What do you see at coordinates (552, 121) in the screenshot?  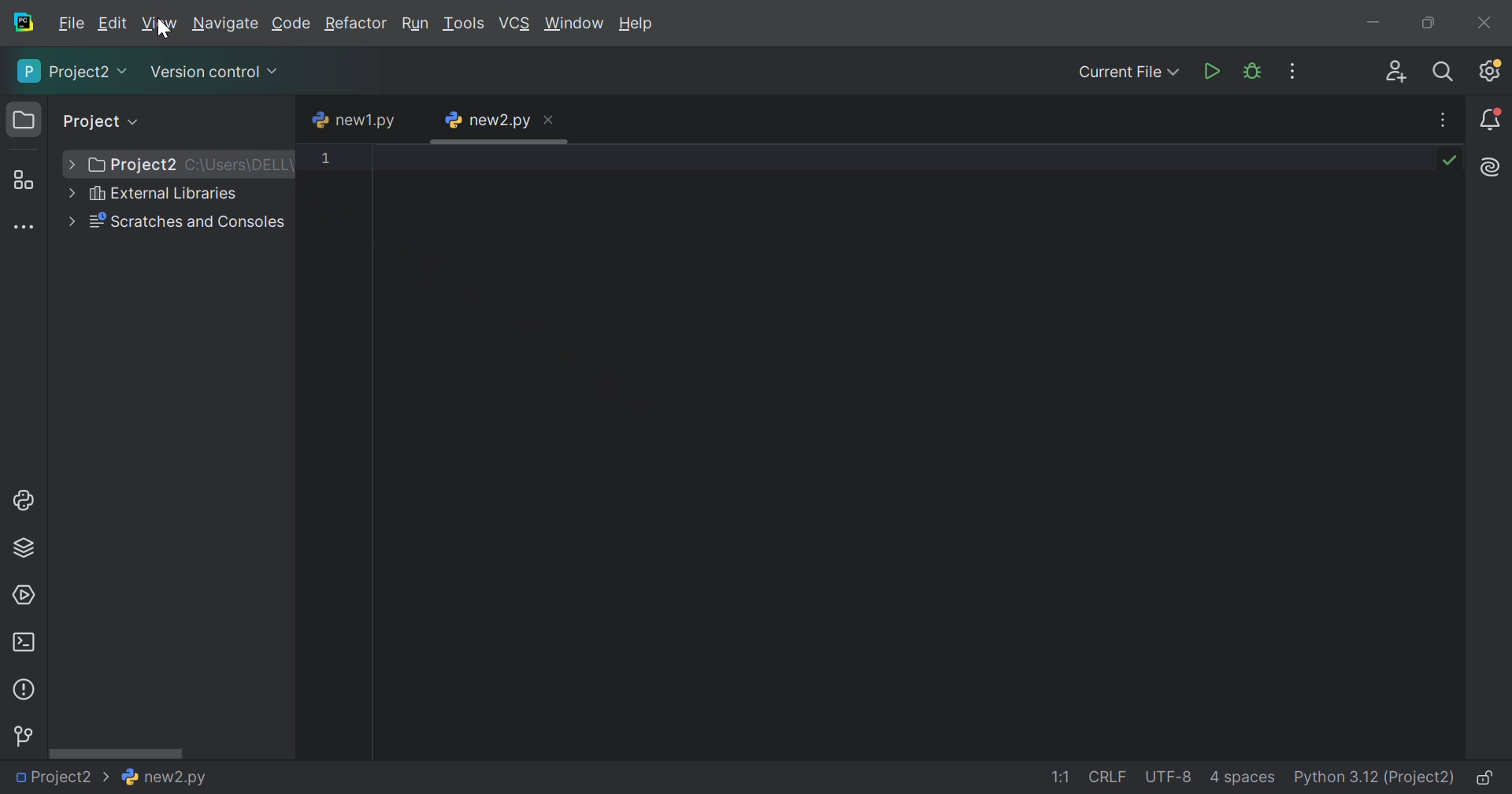 I see `Close` at bounding box center [552, 121].